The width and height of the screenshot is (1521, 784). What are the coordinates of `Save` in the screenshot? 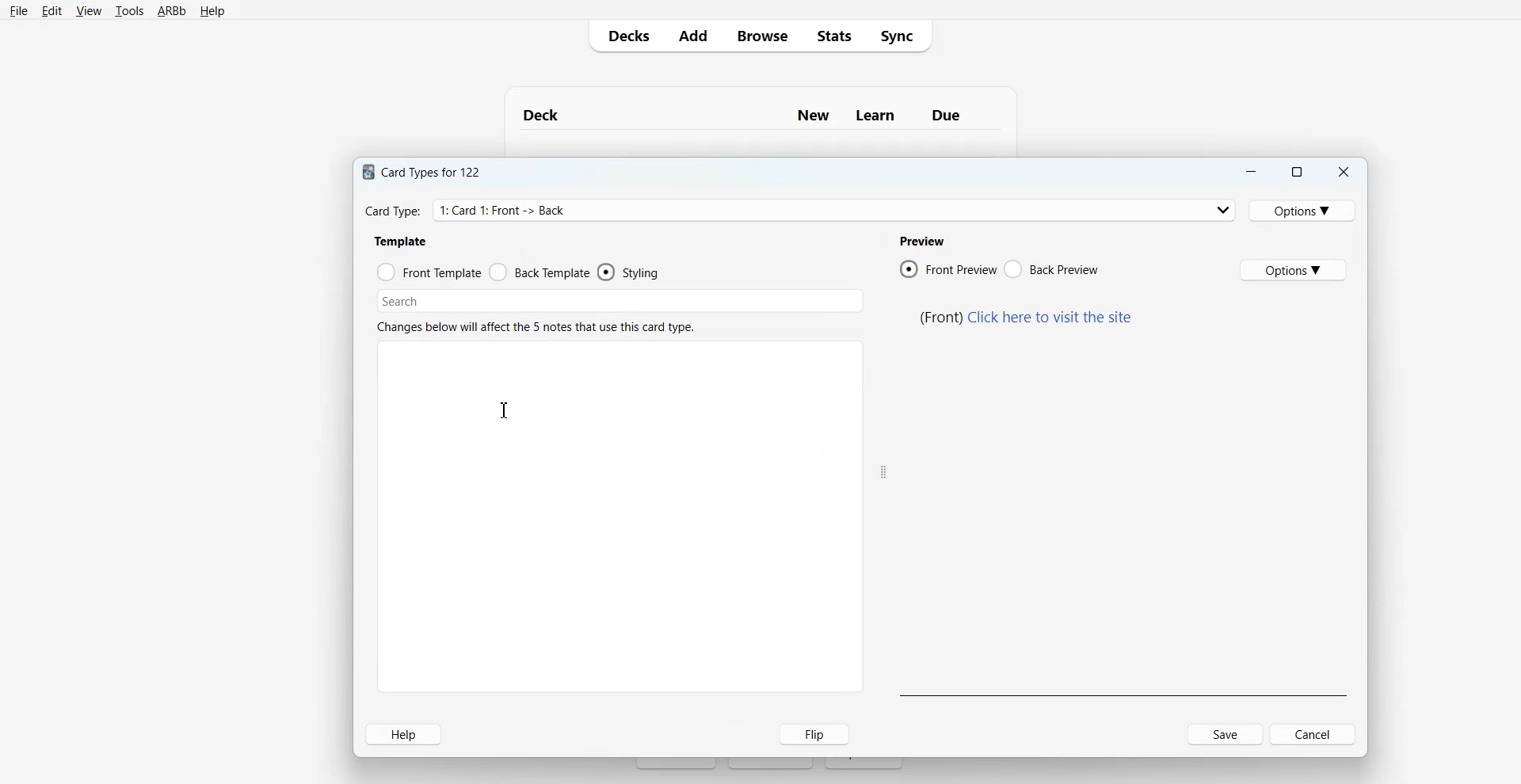 It's located at (1226, 734).